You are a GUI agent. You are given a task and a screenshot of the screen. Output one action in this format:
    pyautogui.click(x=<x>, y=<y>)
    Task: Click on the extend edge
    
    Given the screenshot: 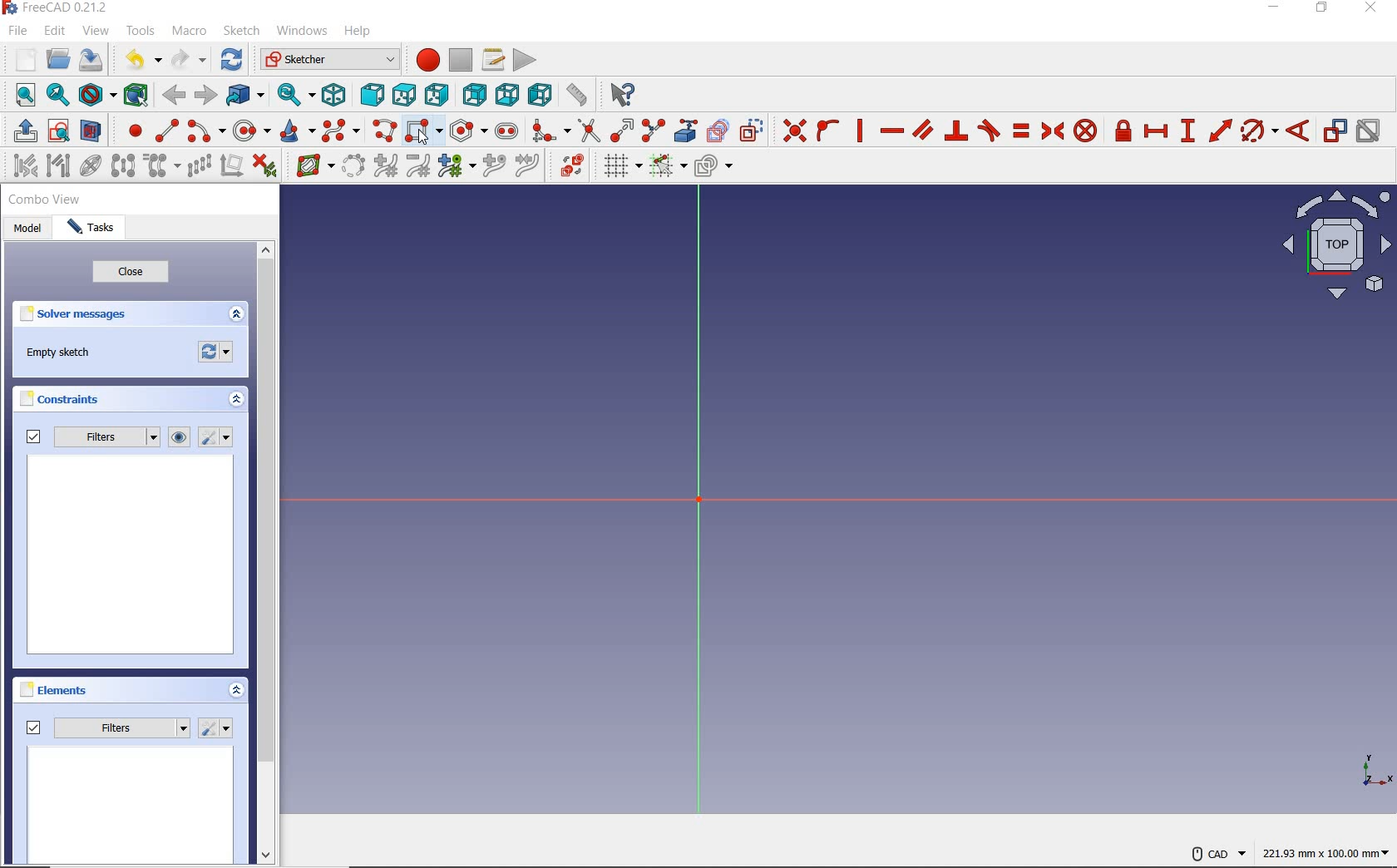 What is the action you would take?
    pyautogui.click(x=623, y=131)
    